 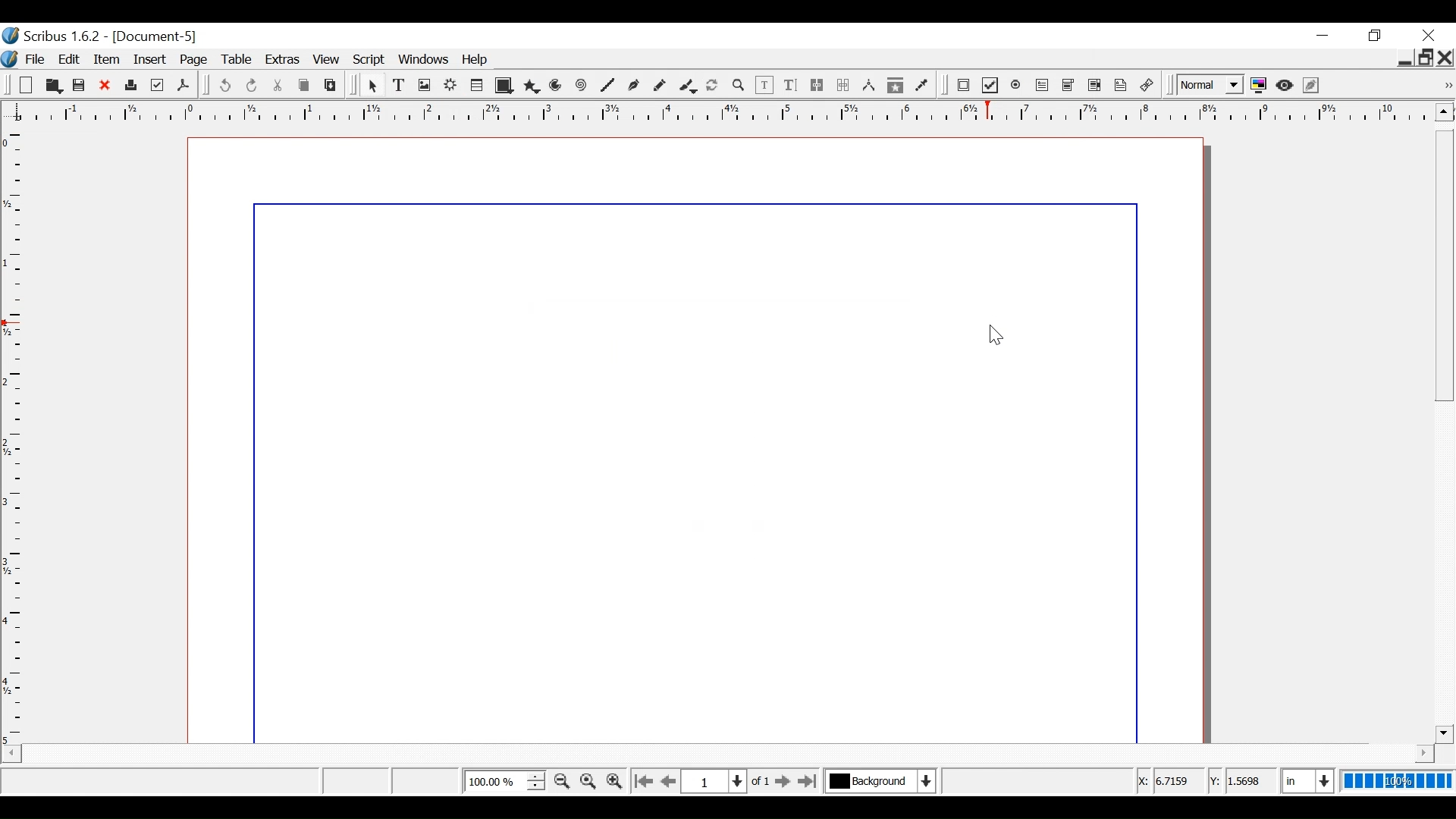 What do you see at coordinates (562, 781) in the screenshot?
I see `Zoom out` at bounding box center [562, 781].